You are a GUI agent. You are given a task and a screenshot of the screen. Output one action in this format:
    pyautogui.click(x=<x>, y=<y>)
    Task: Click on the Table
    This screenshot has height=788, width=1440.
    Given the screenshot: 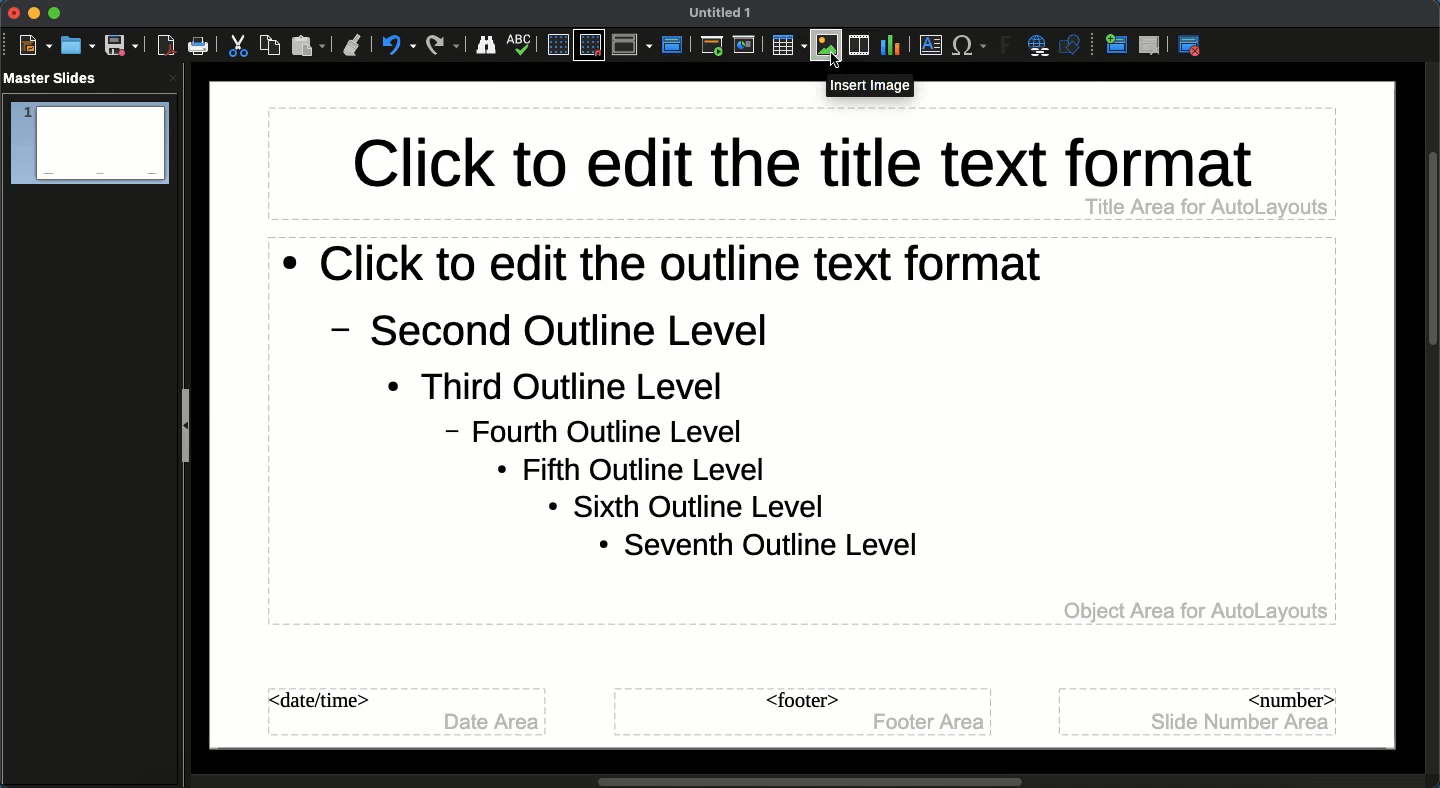 What is the action you would take?
    pyautogui.click(x=789, y=46)
    